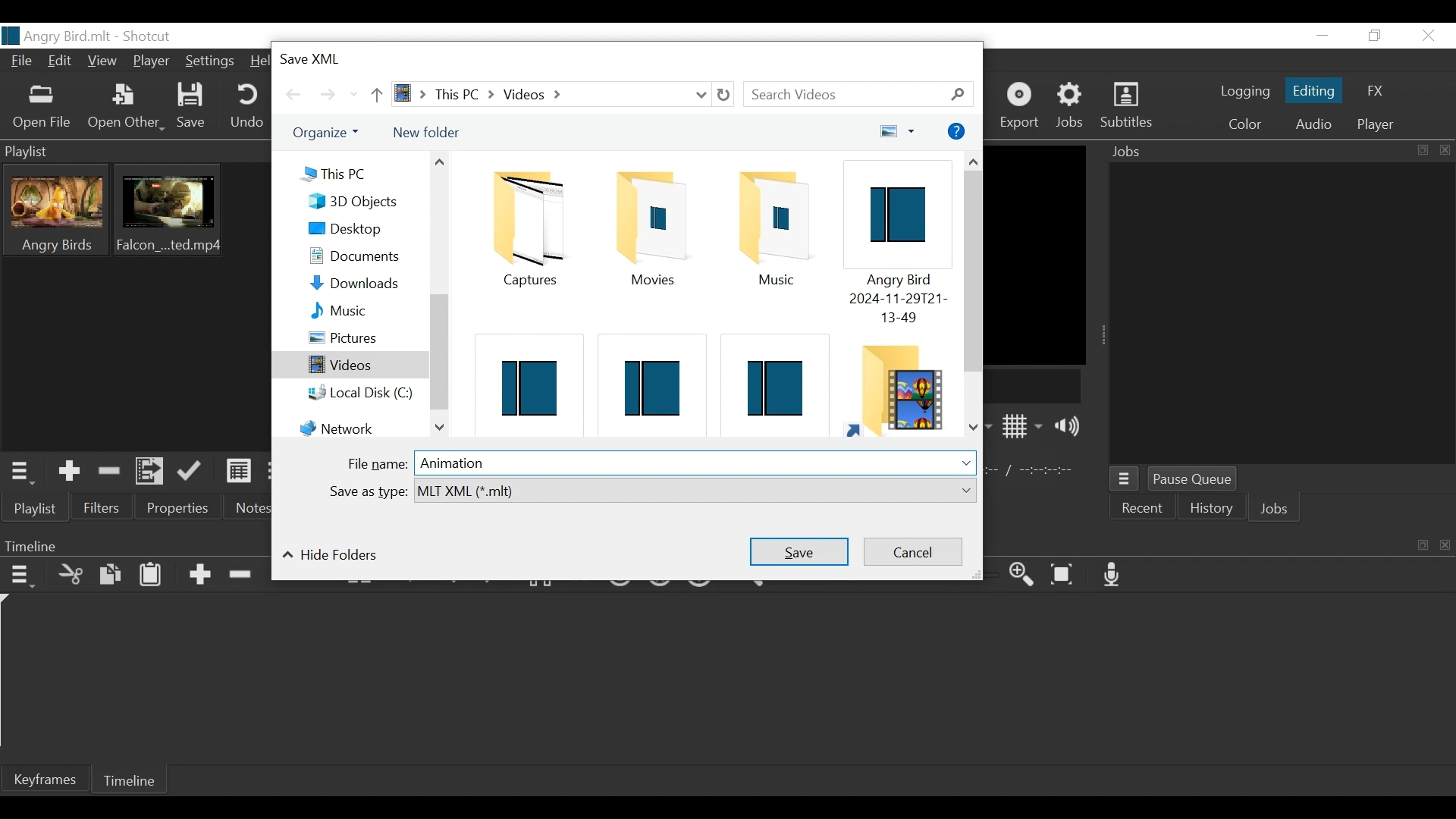  I want to click on Change your view, so click(898, 131).